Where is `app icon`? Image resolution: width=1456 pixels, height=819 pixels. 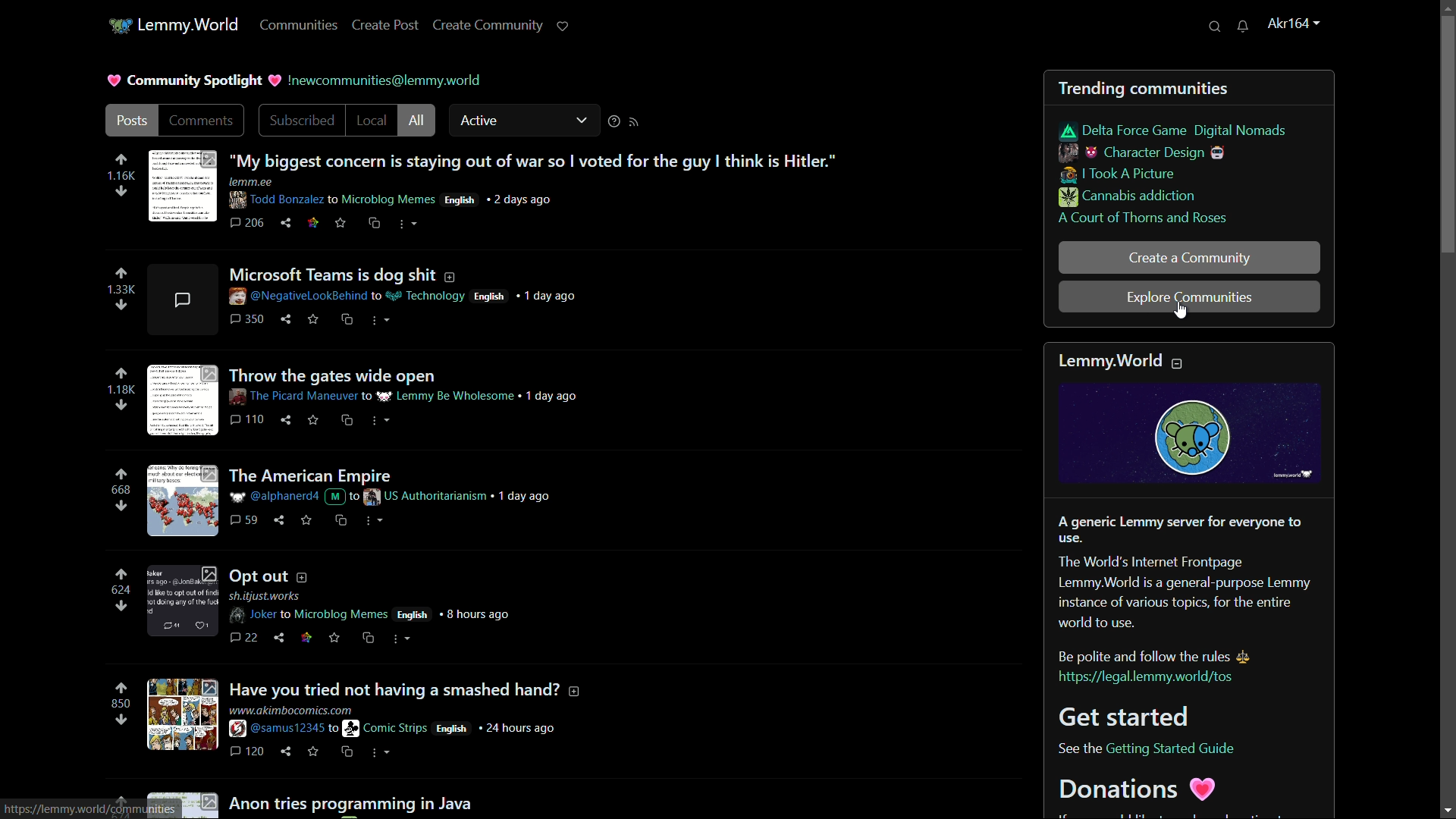
app icon is located at coordinates (121, 24).